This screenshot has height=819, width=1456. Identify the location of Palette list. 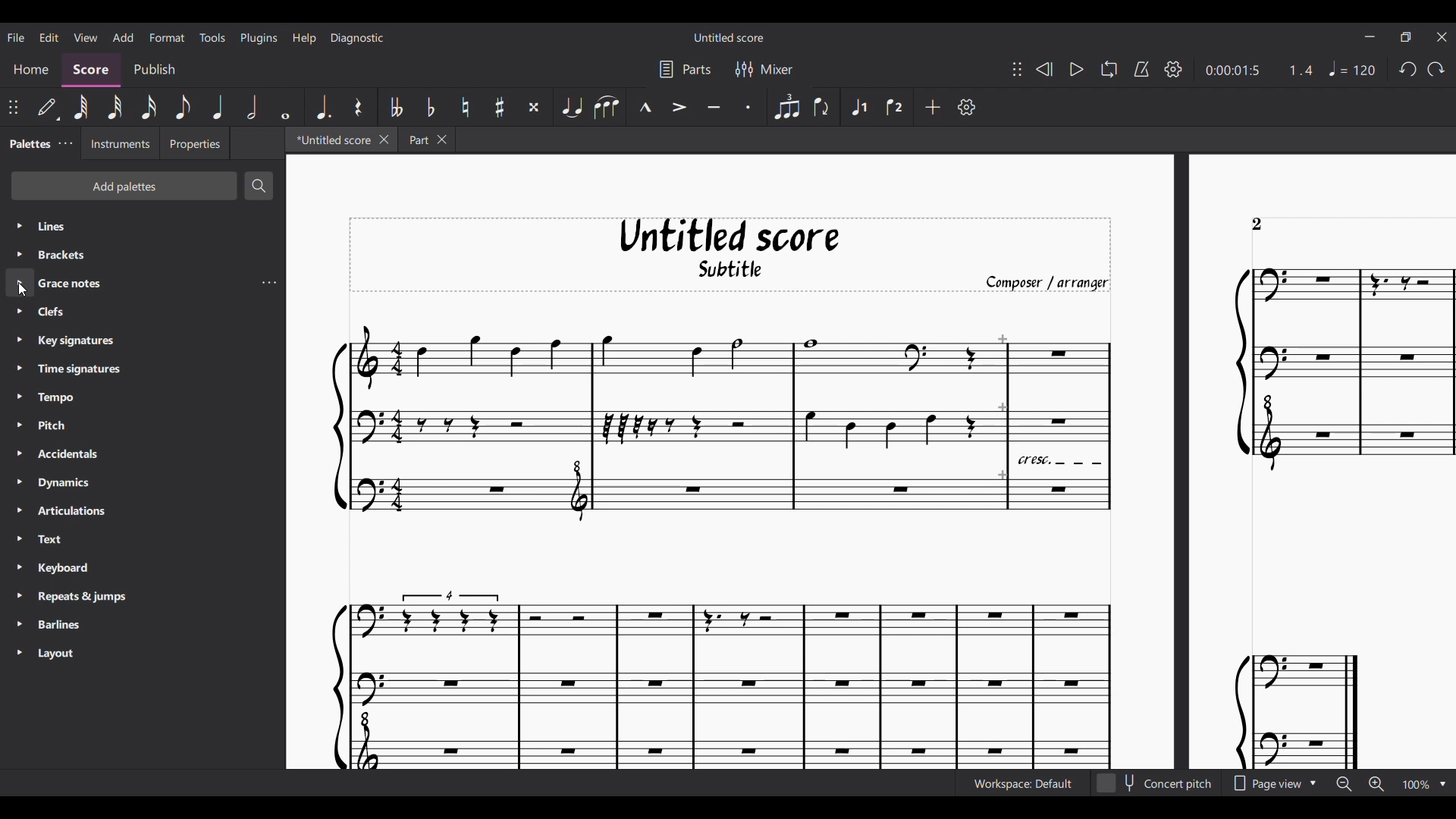
(144, 439).